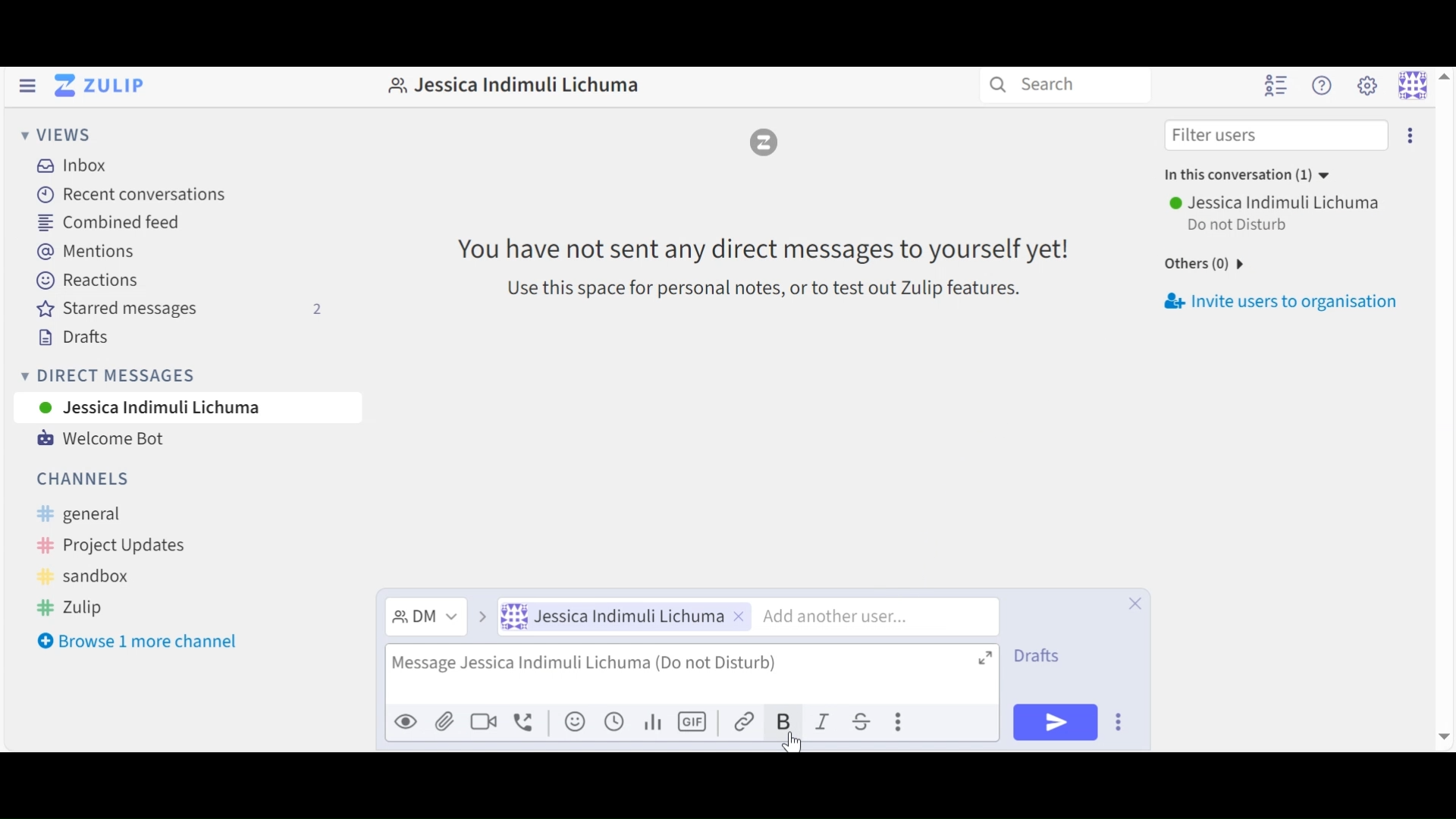  What do you see at coordinates (445, 721) in the screenshot?
I see `Upload files` at bounding box center [445, 721].